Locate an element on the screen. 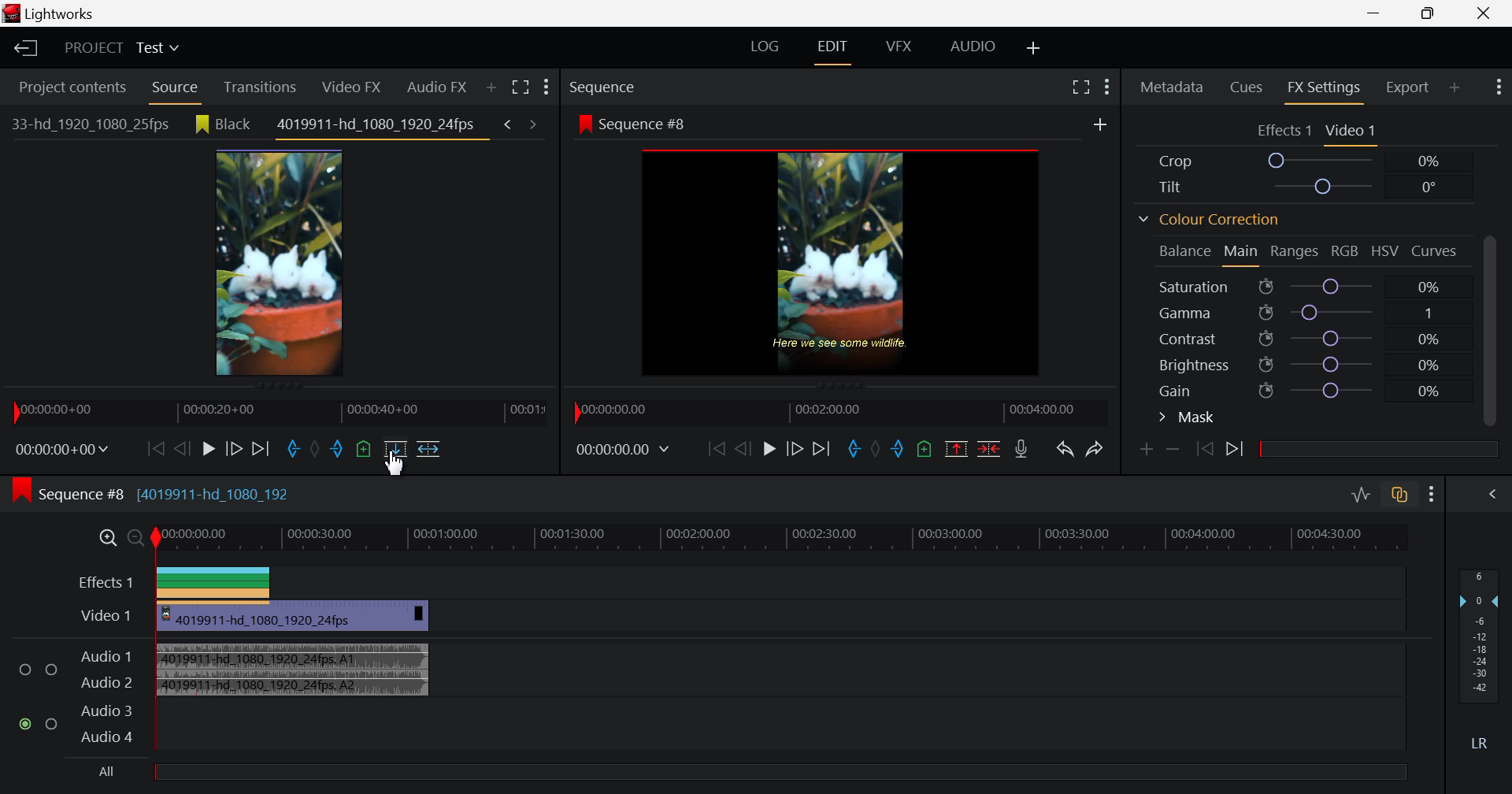  Delete/Cut is located at coordinates (988, 451).